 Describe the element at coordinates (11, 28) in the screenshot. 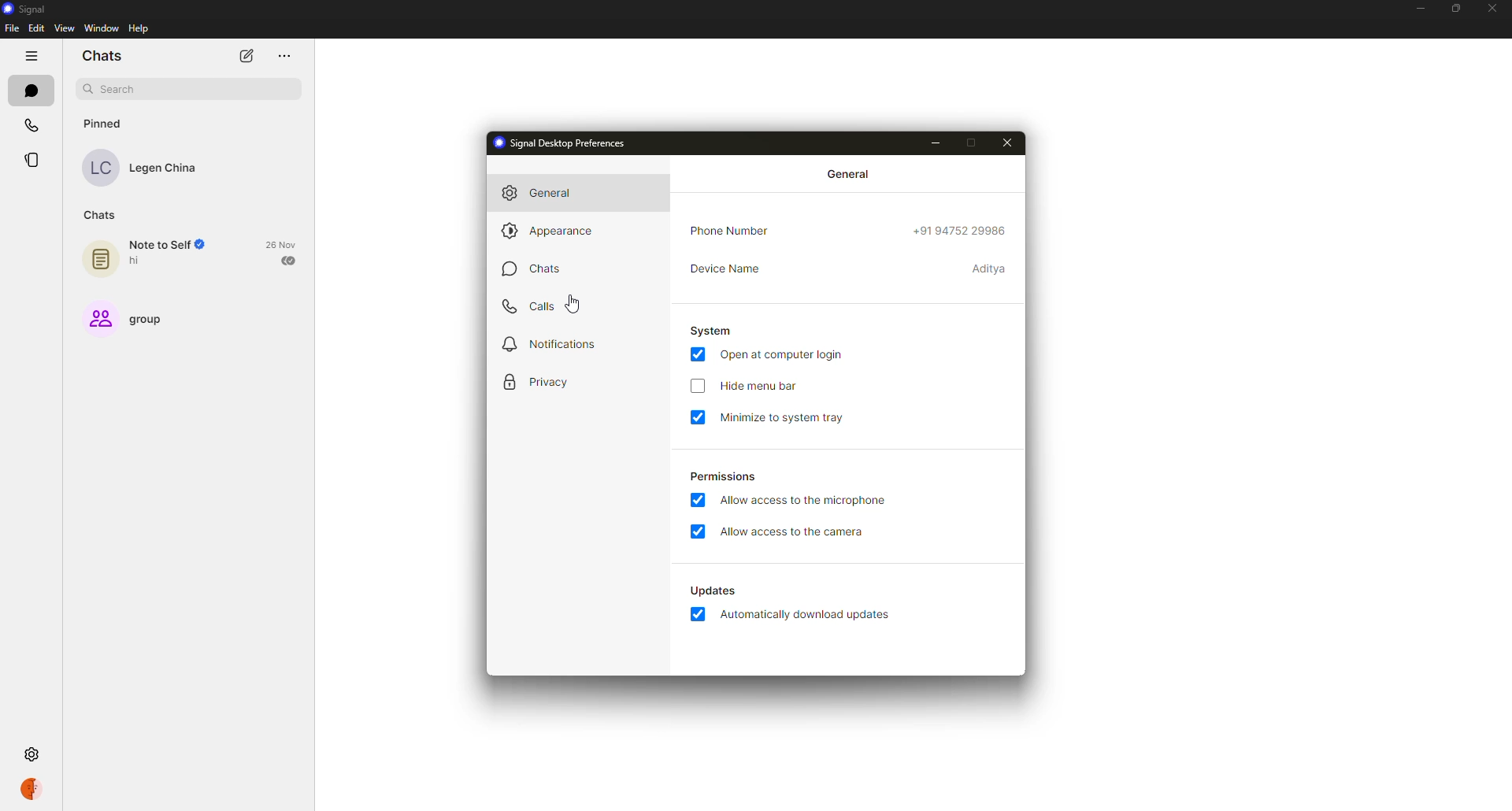

I see `file` at that location.